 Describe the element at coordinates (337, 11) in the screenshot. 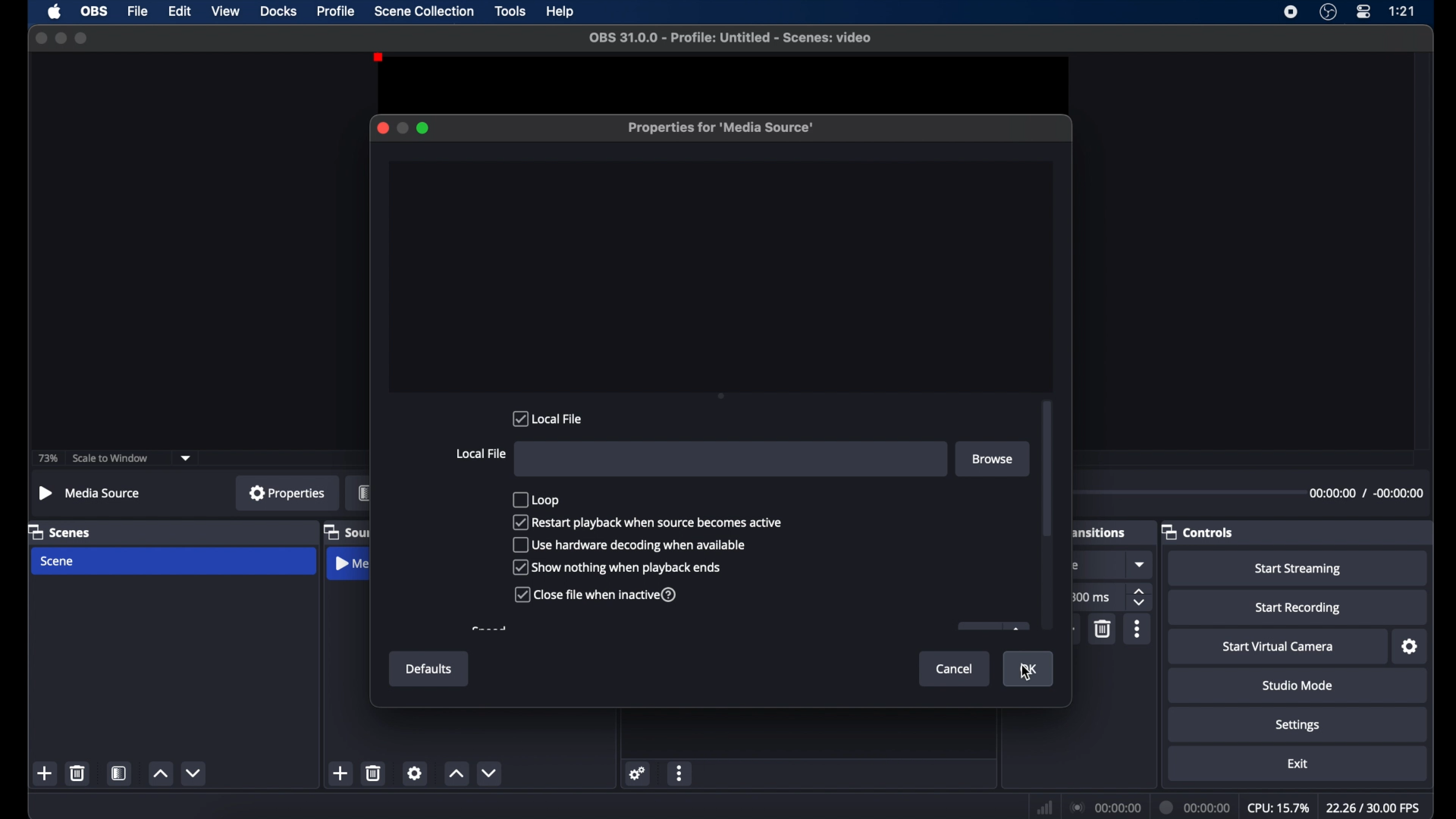

I see `profile` at that location.